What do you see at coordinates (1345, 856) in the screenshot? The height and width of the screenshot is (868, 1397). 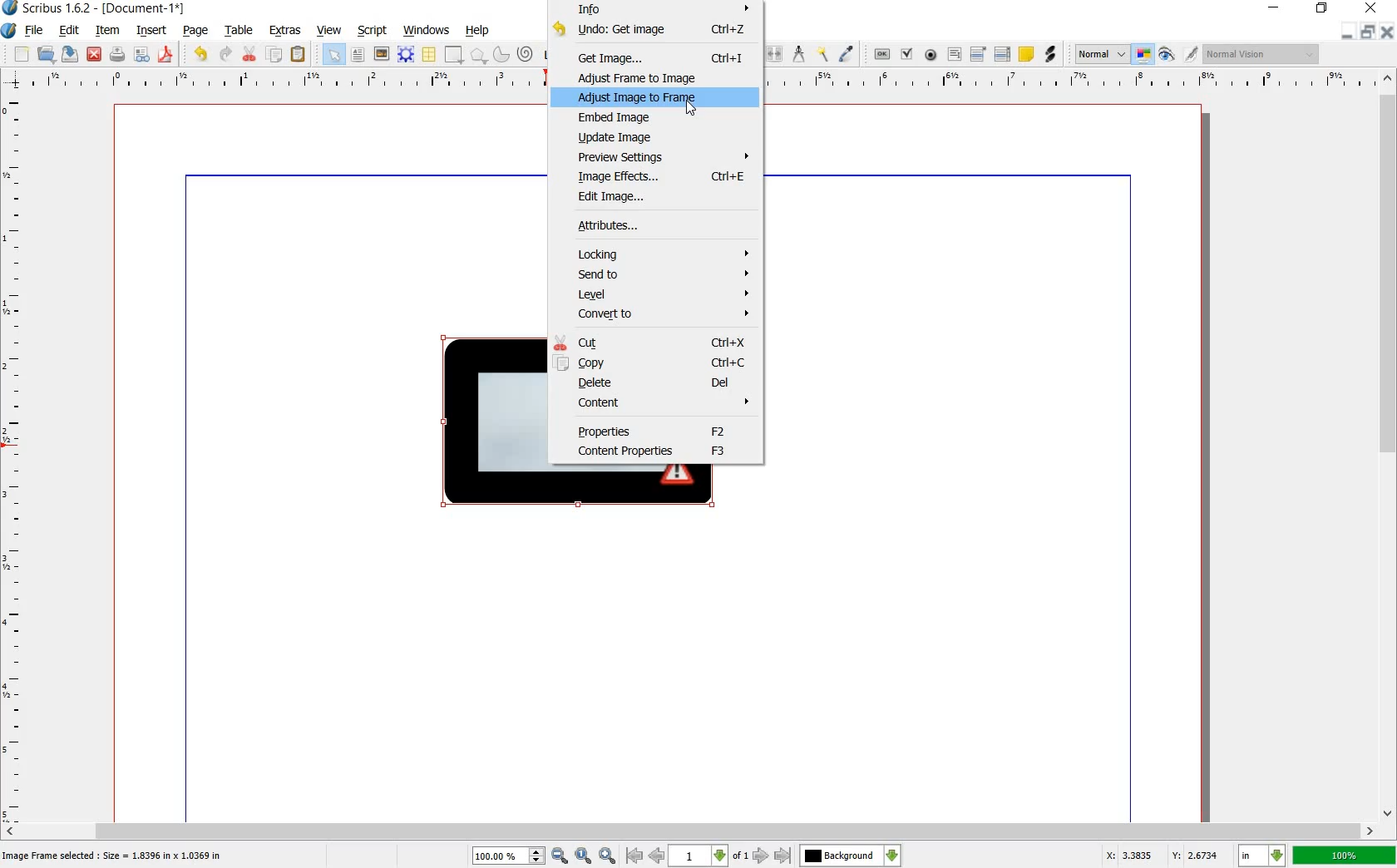 I see `zoom factor` at bounding box center [1345, 856].